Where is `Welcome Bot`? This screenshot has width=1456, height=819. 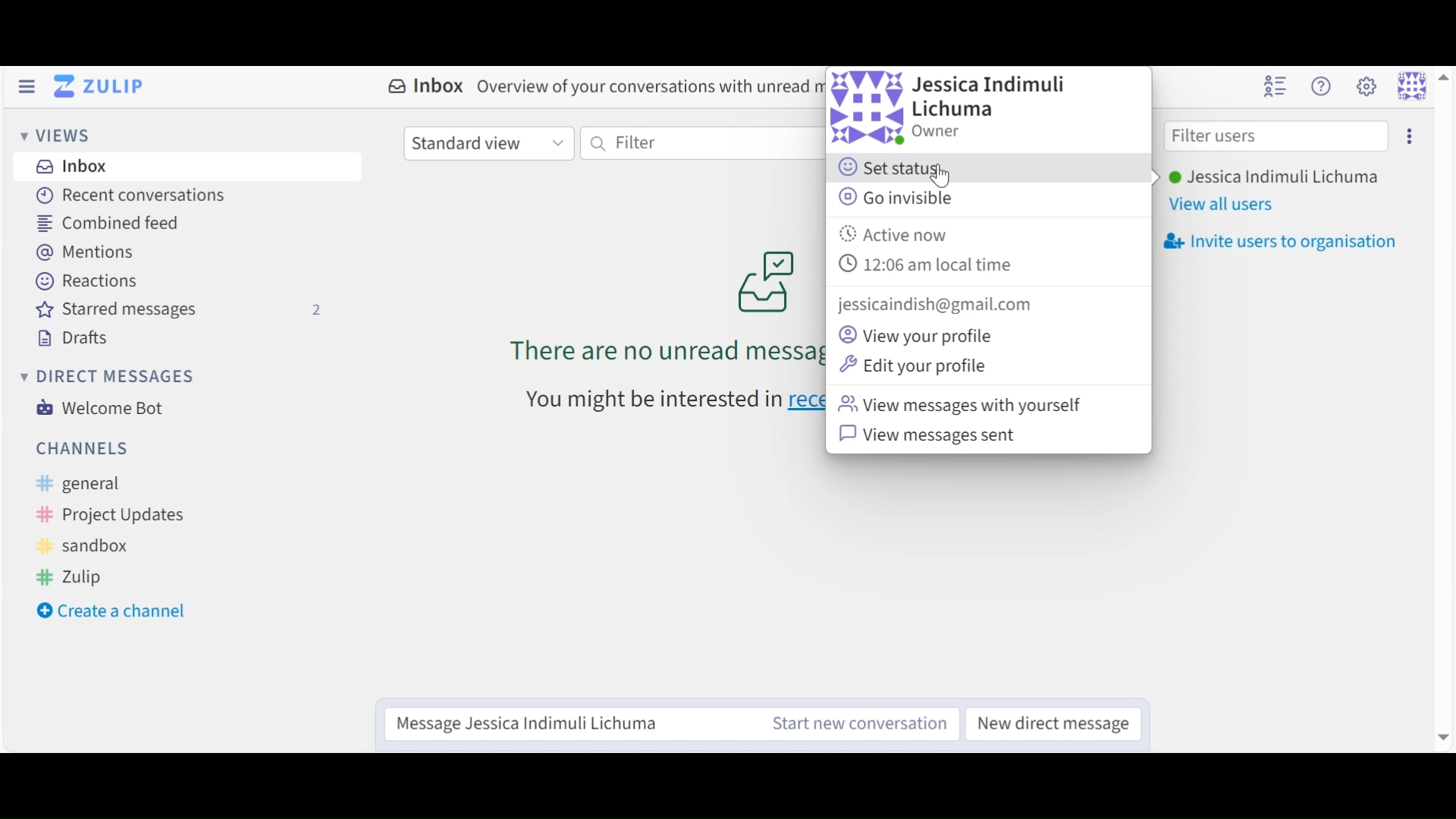 Welcome Bot is located at coordinates (98, 408).